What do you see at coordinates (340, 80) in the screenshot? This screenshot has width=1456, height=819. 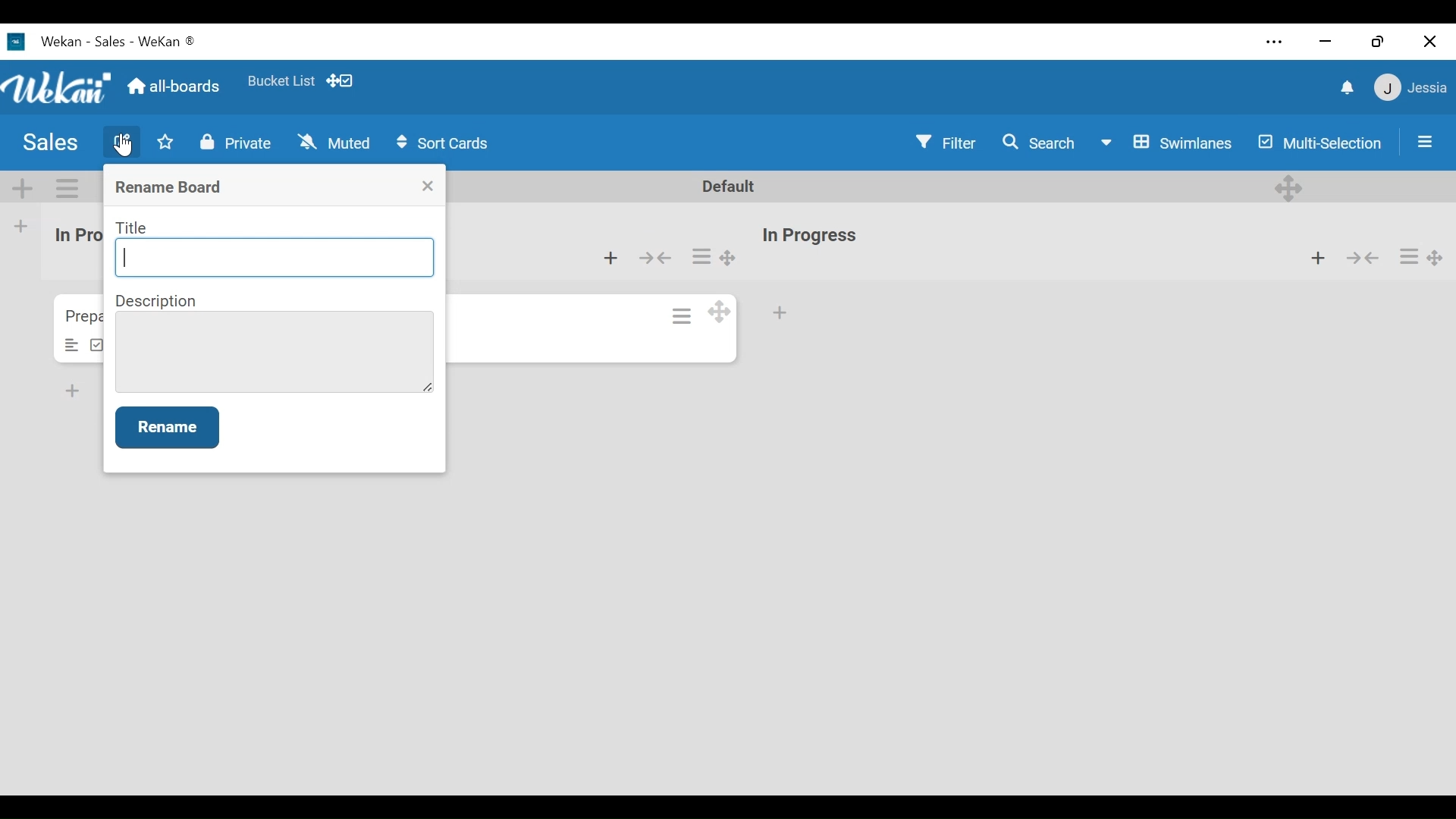 I see `Show desktop drag handle` at bounding box center [340, 80].